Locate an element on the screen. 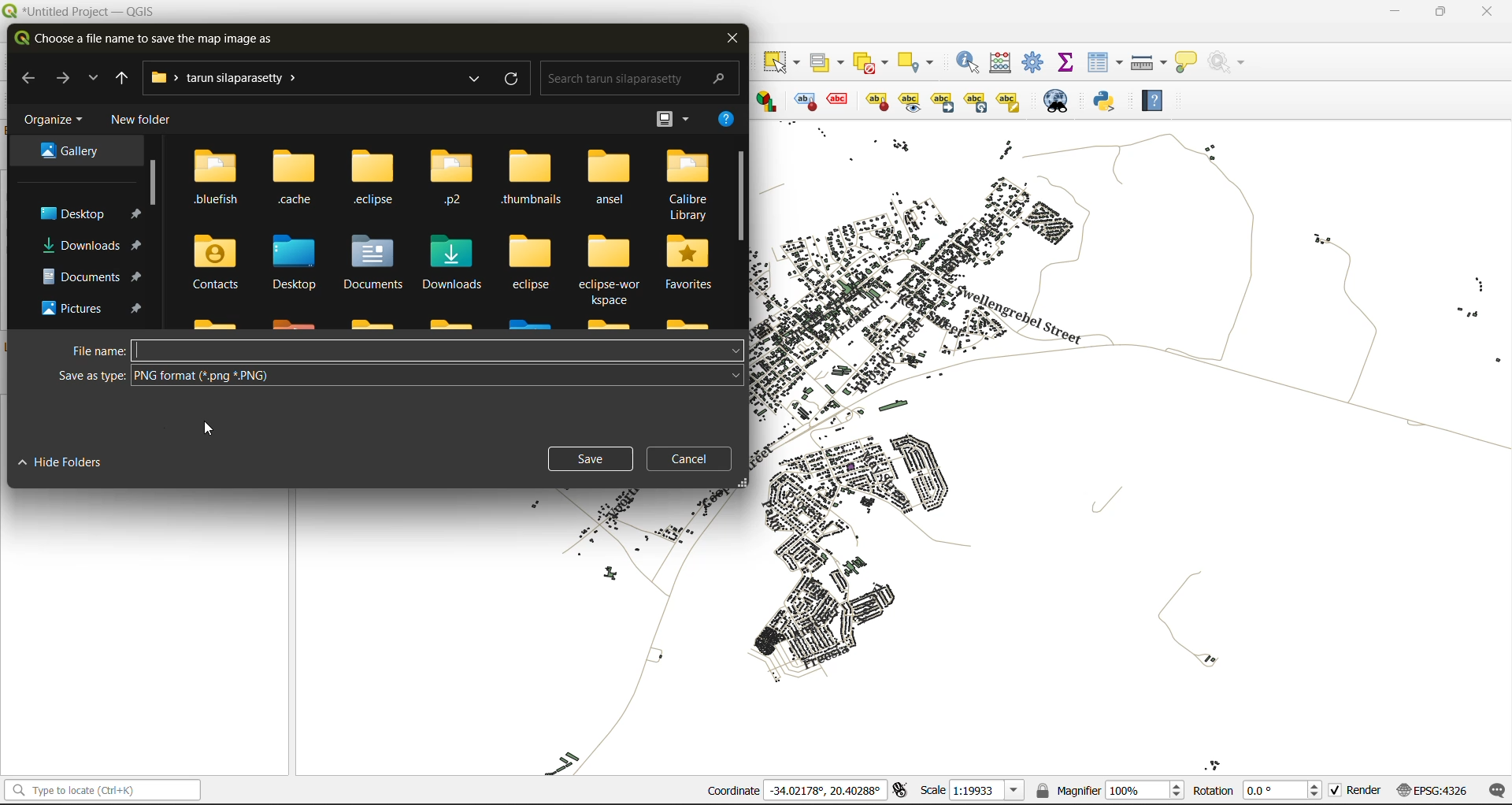  calculator is located at coordinates (1003, 63).